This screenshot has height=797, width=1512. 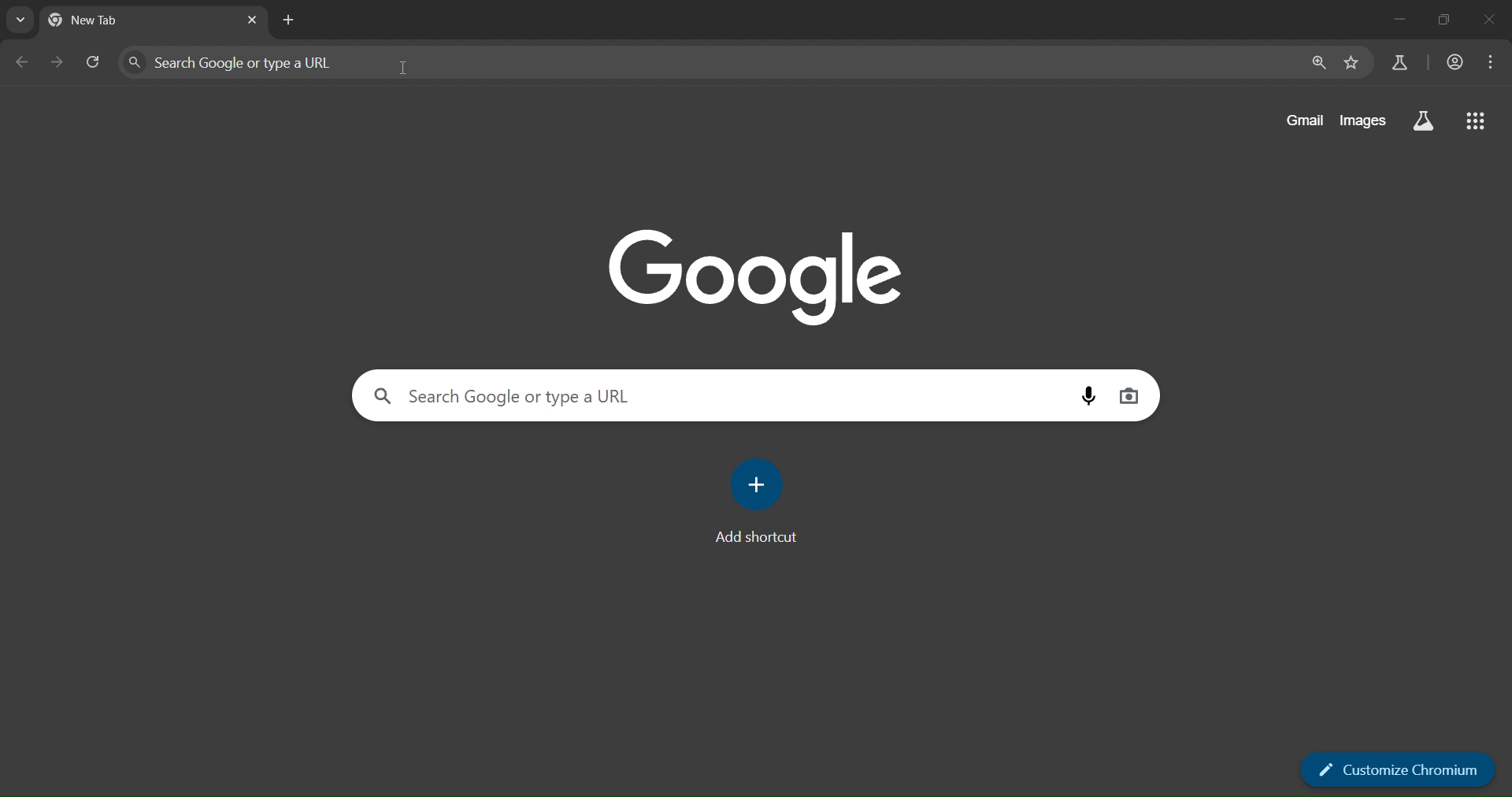 I want to click on search tab, so click(x=20, y=23).